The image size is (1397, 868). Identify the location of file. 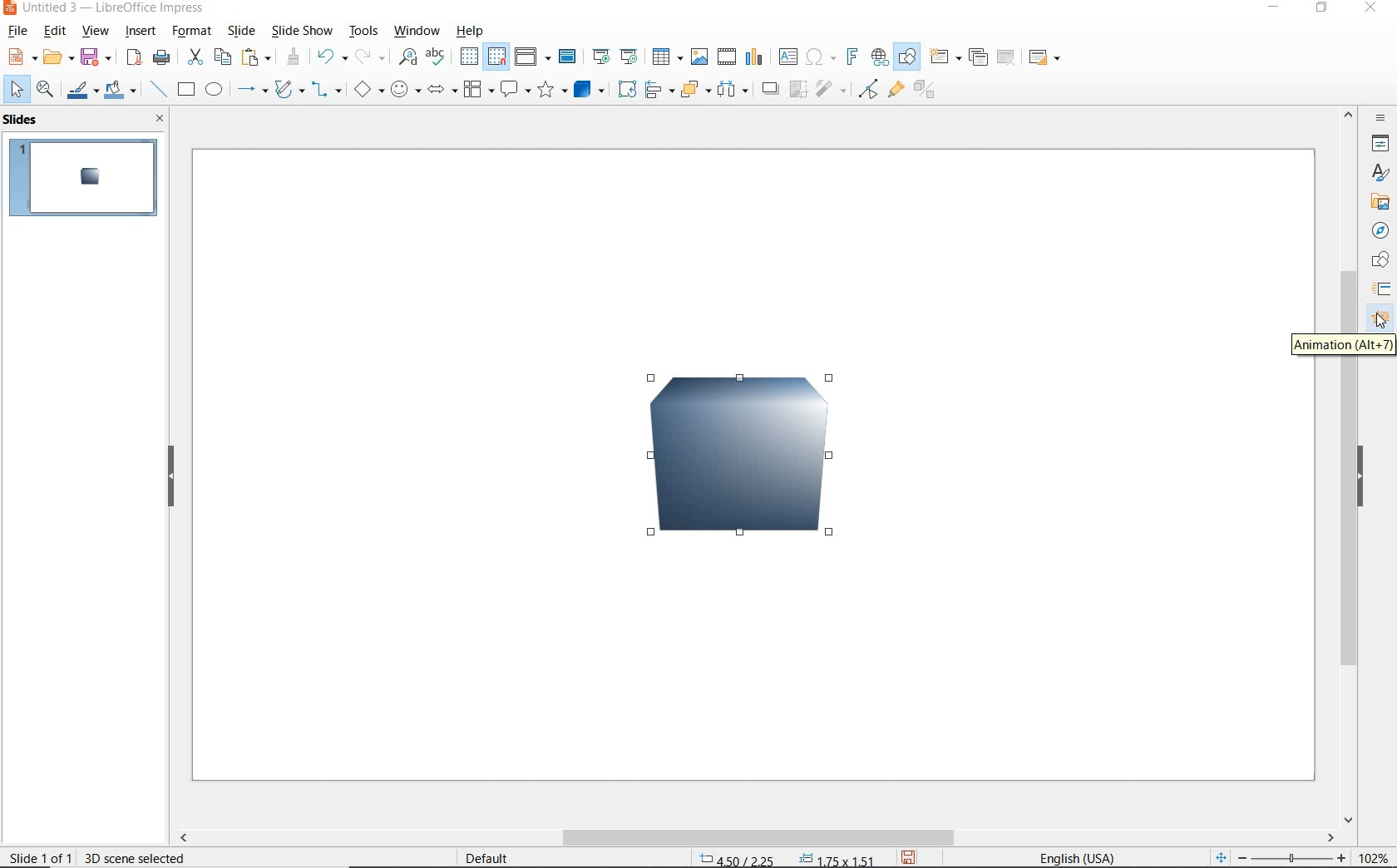
(18, 31).